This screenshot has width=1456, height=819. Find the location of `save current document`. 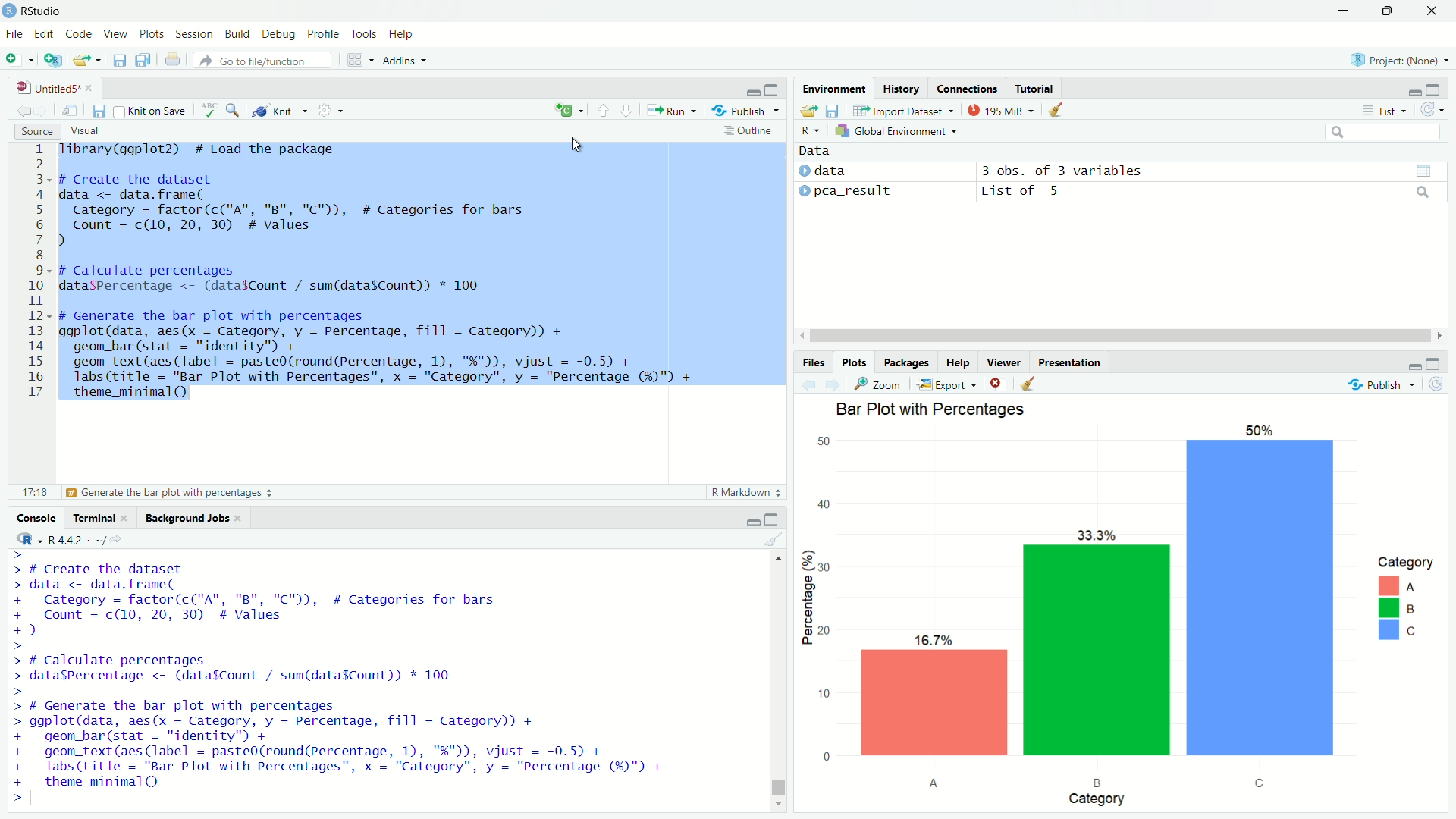

save current document is located at coordinates (100, 111).